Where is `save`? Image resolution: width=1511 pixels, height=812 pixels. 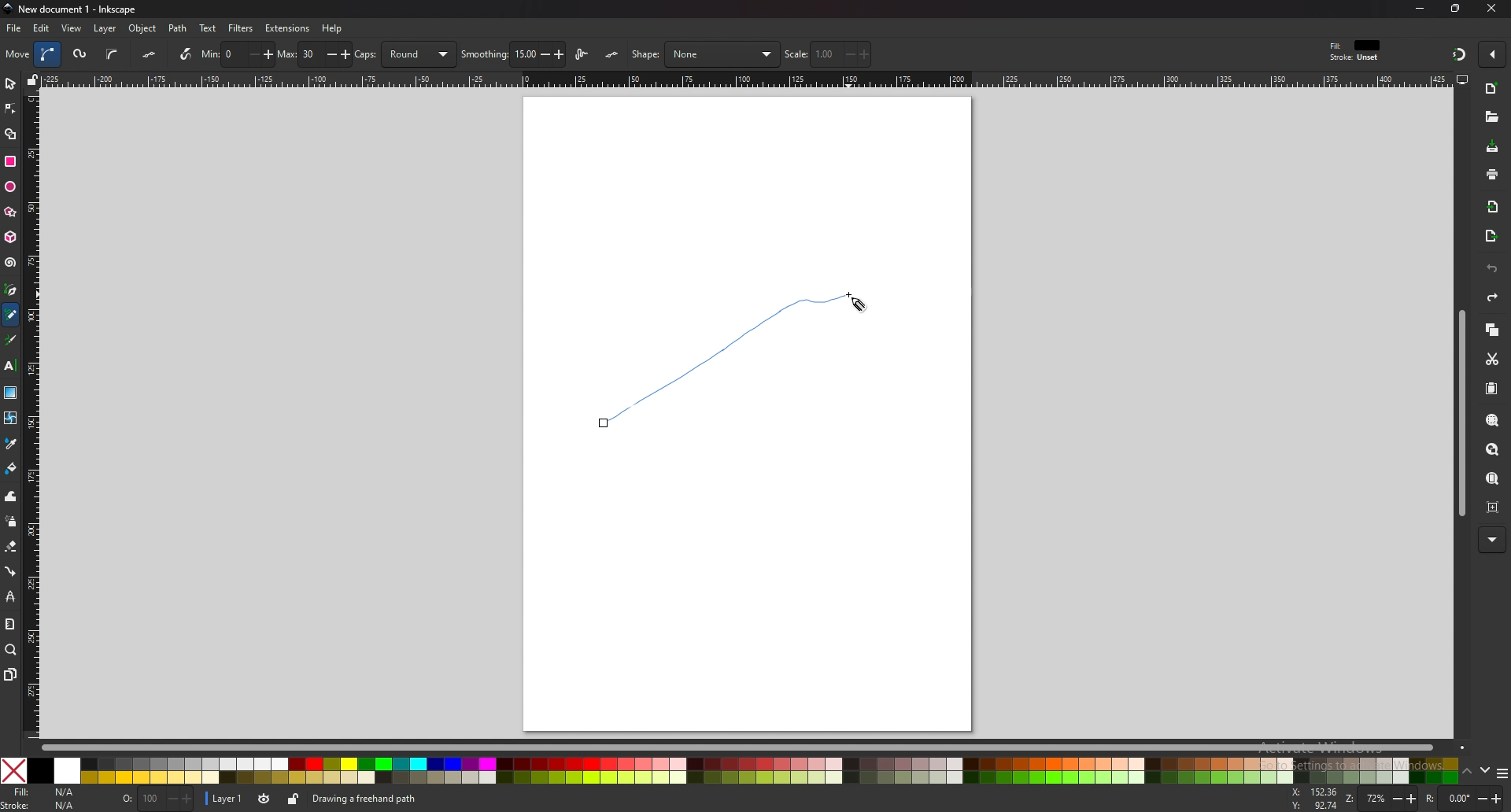 save is located at coordinates (1493, 148).